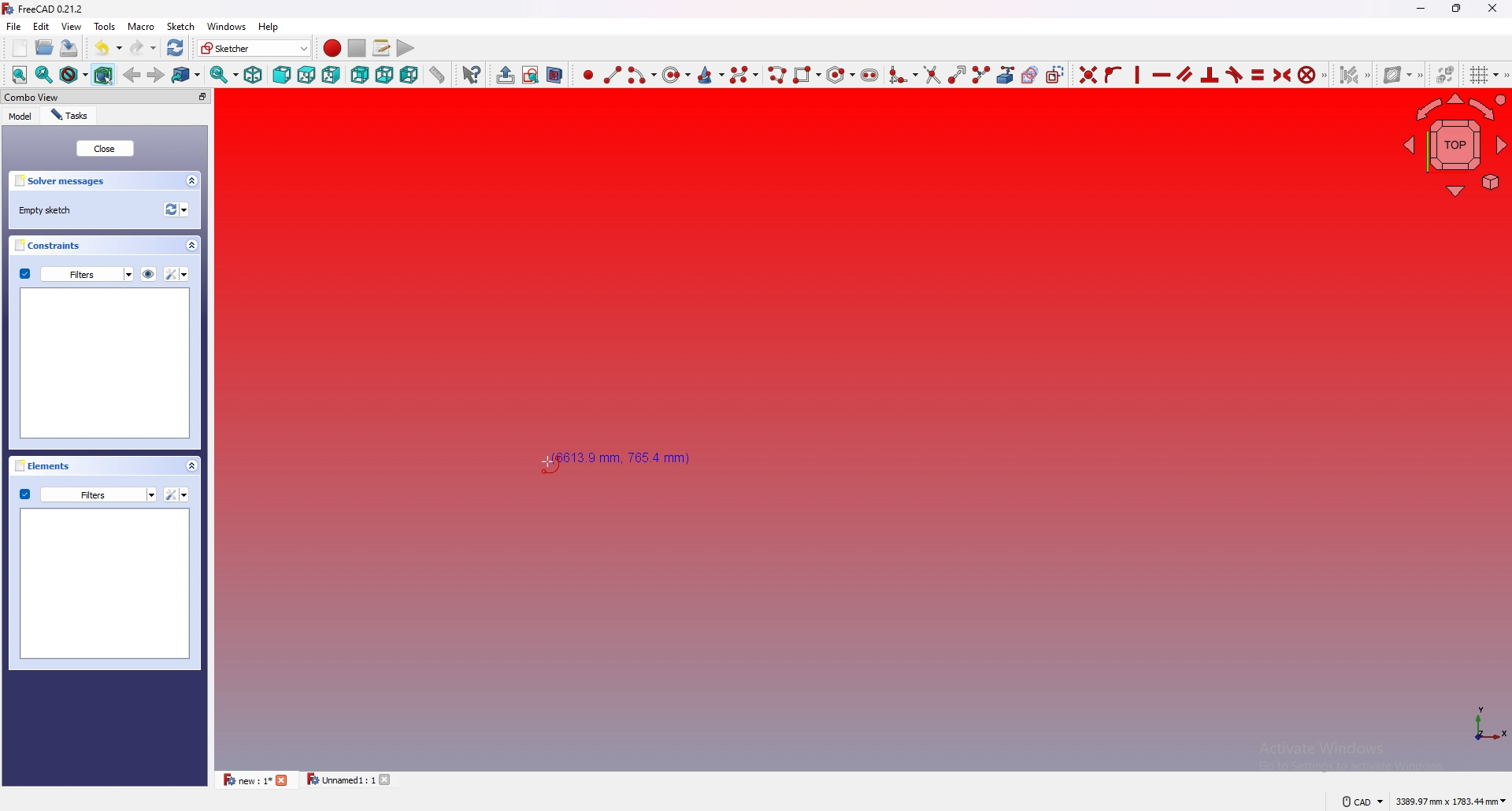 The image size is (1512, 811). Describe the element at coordinates (506, 75) in the screenshot. I see `create group` at that location.